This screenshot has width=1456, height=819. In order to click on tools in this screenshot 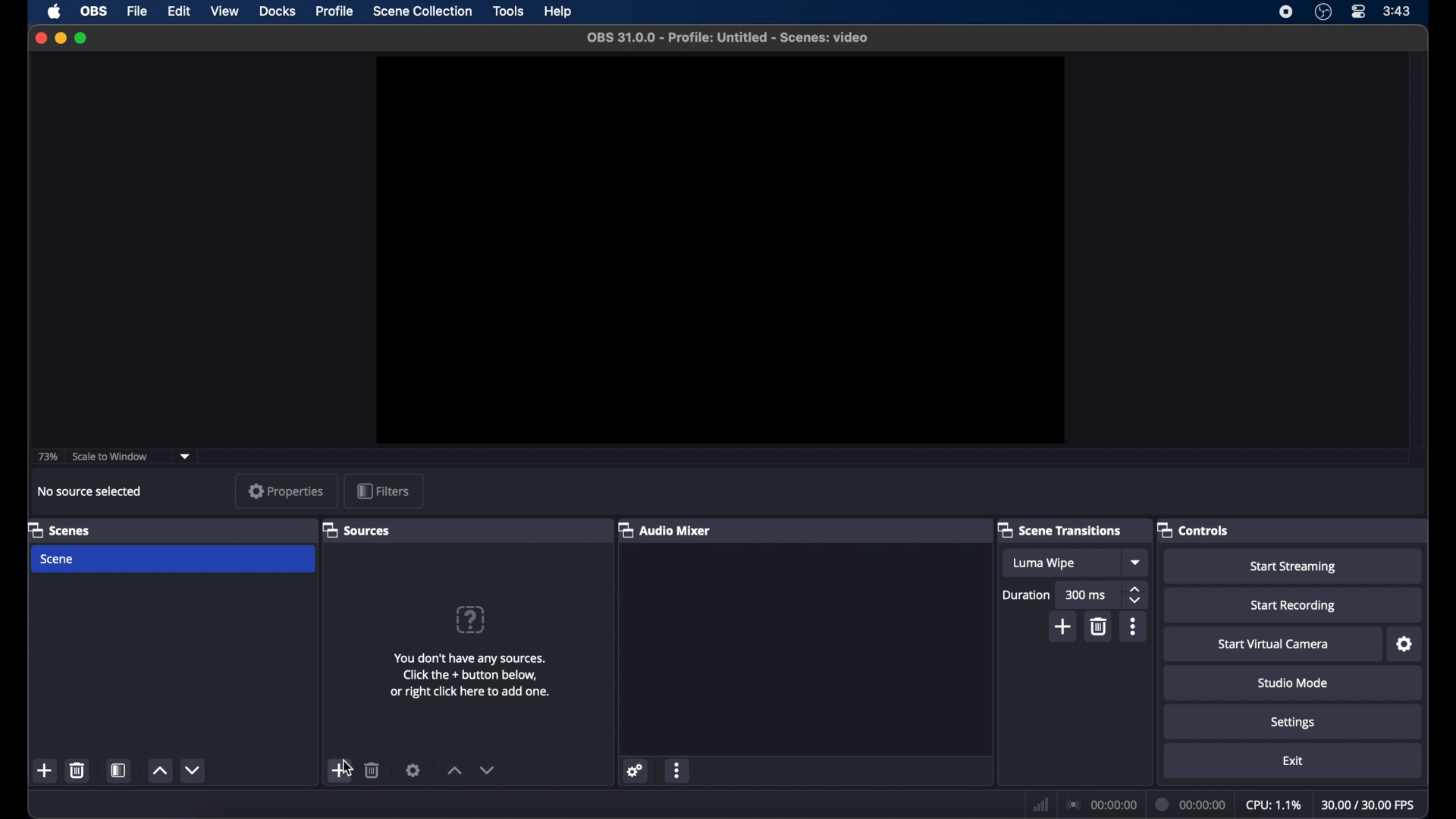, I will do `click(510, 11)`.